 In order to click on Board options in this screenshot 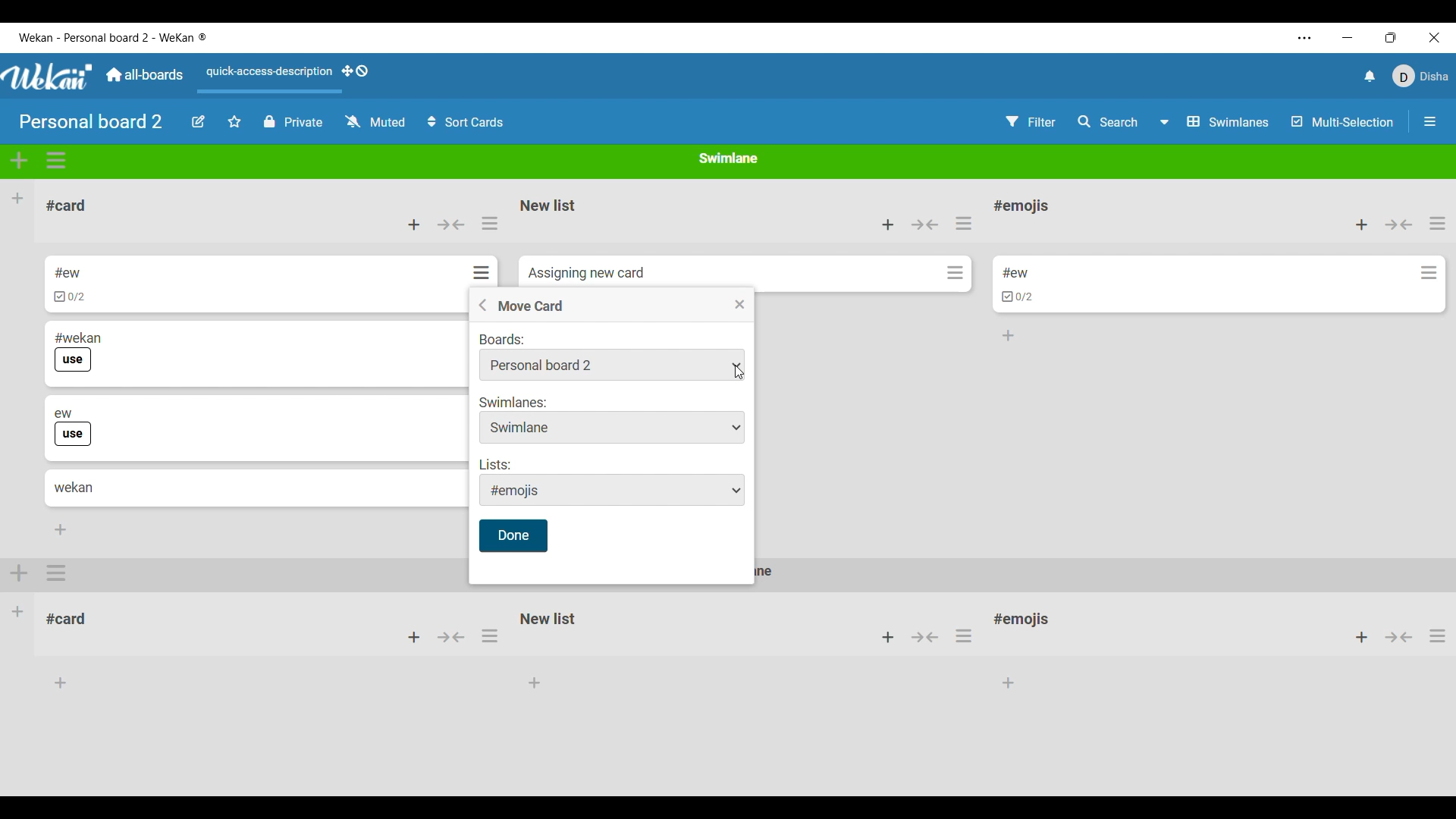, I will do `click(611, 365)`.